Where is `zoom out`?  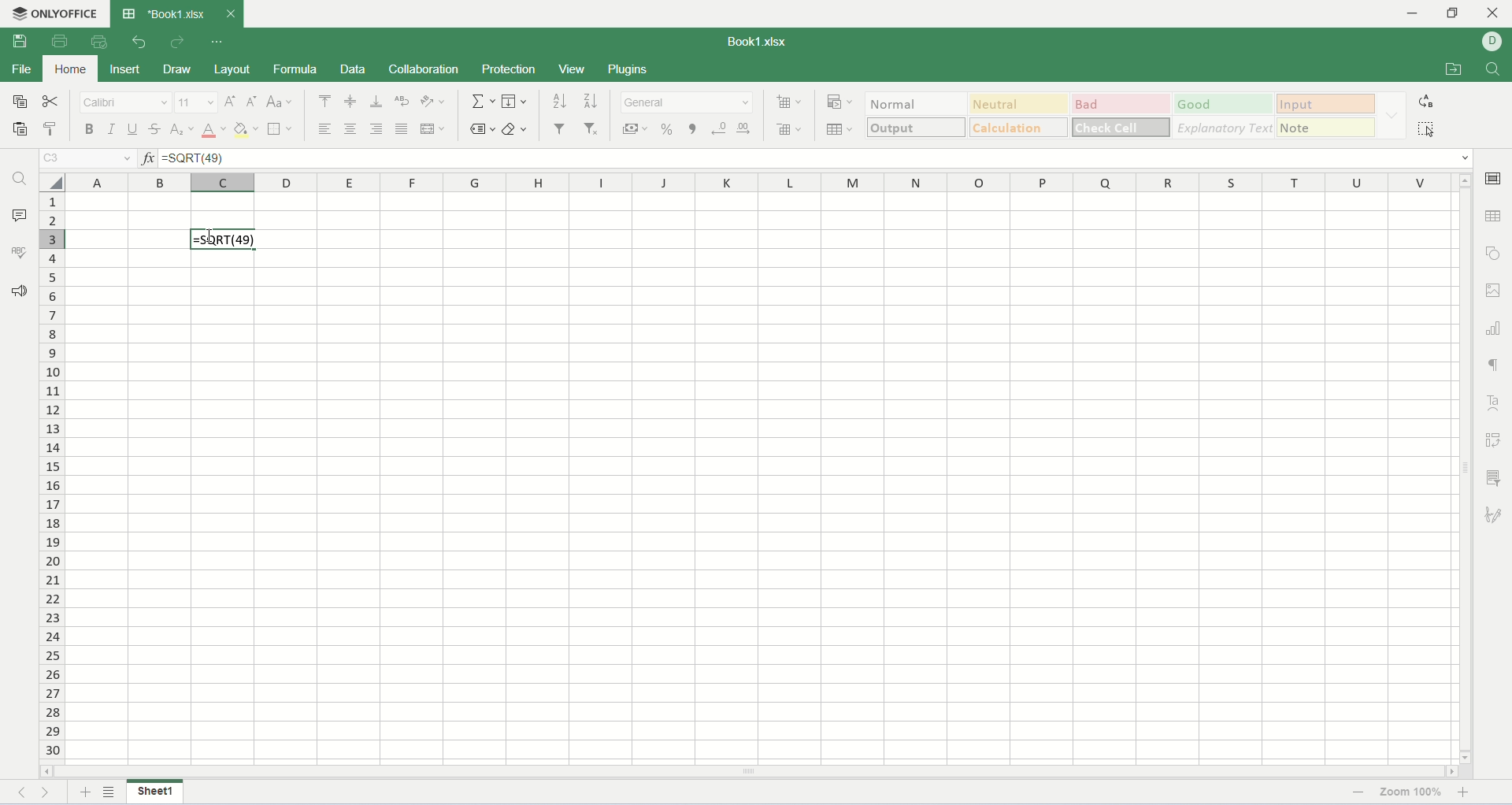
zoom out is located at coordinates (1358, 792).